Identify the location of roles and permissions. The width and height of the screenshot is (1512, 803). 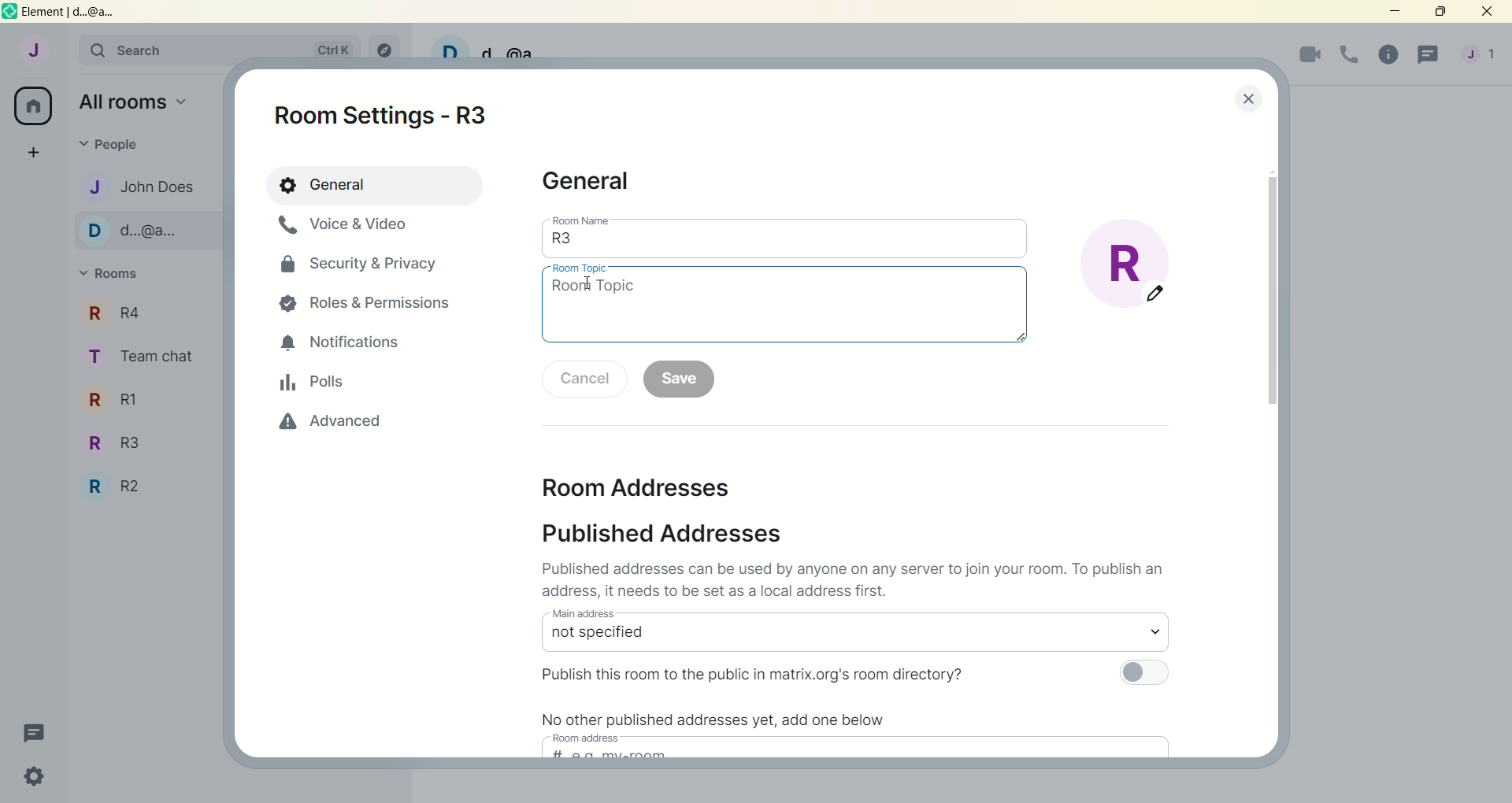
(365, 302).